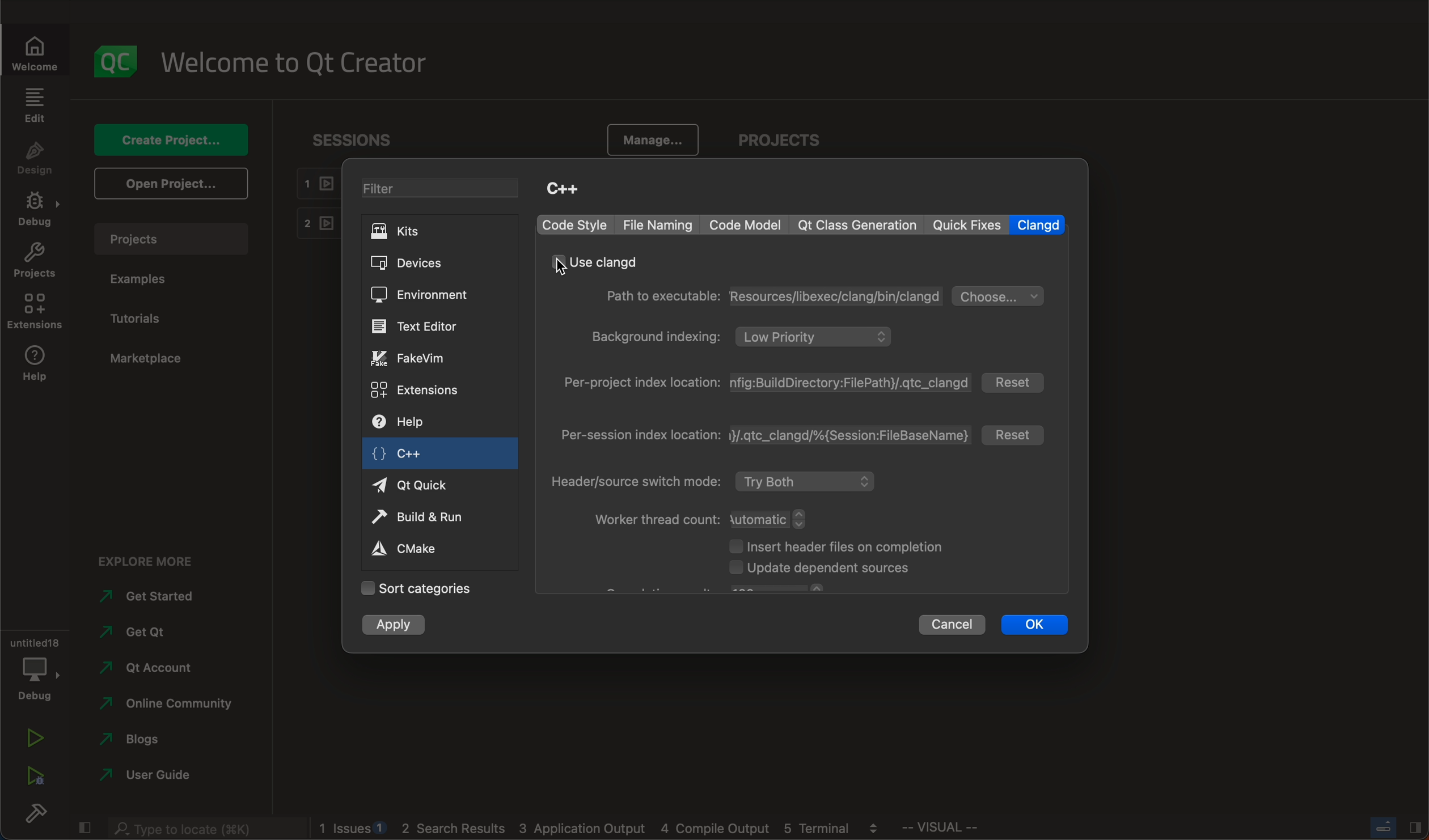 This screenshot has height=840, width=1429. What do you see at coordinates (158, 276) in the screenshot?
I see `examples` at bounding box center [158, 276].